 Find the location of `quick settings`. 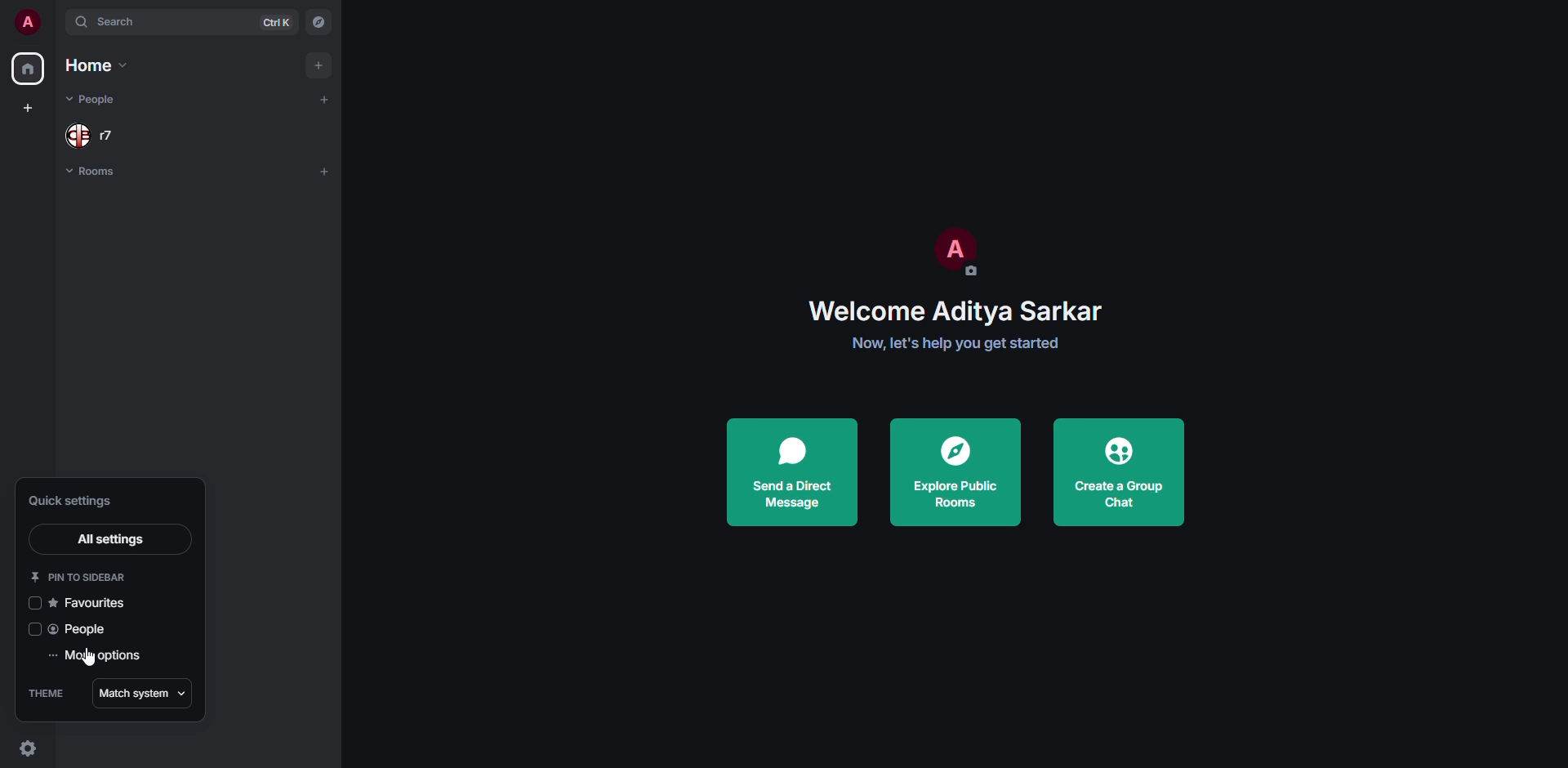

quick settings is located at coordinates (28, 749).